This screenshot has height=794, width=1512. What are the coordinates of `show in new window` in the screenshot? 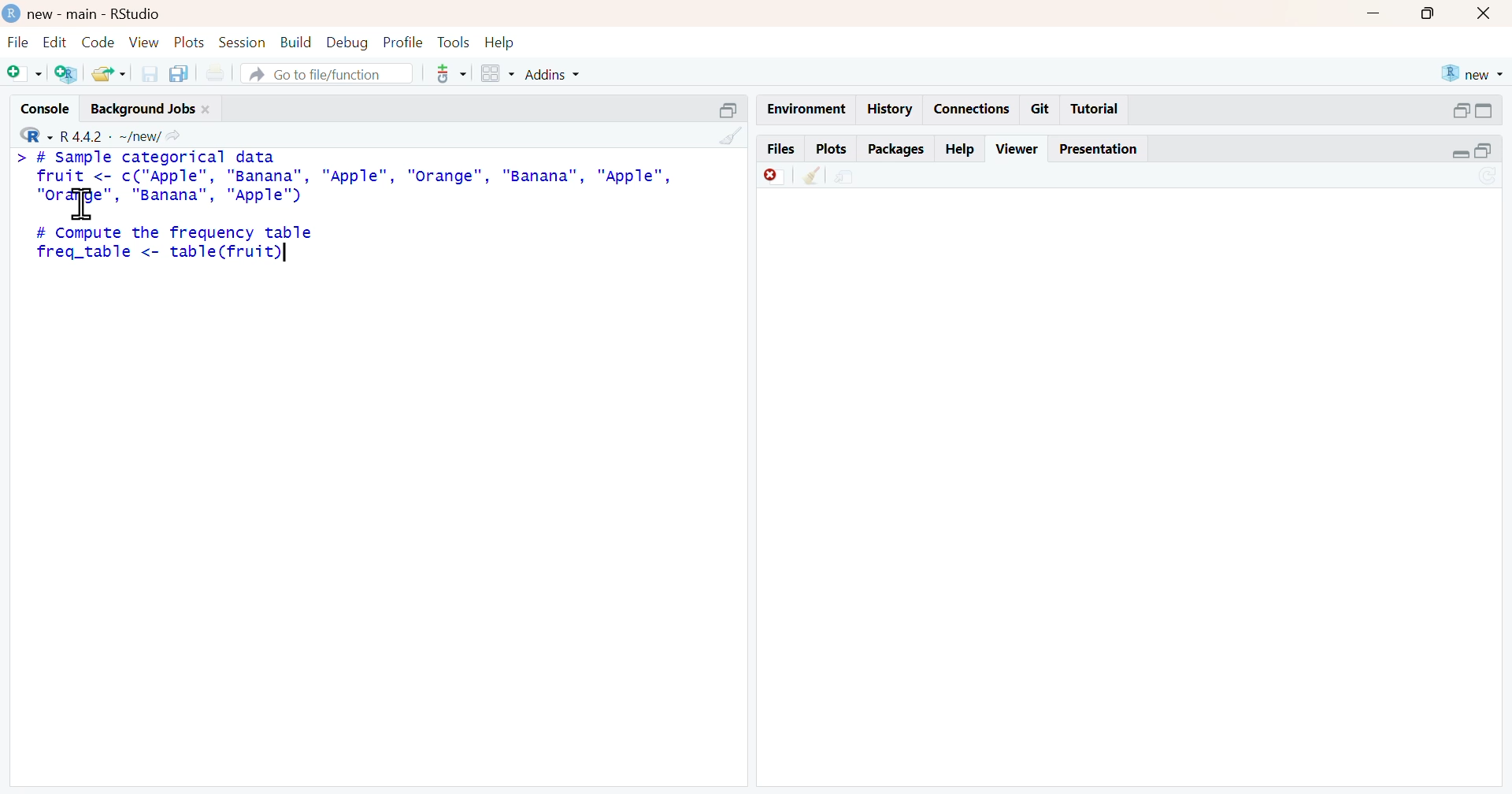 It's located at (842, 177).